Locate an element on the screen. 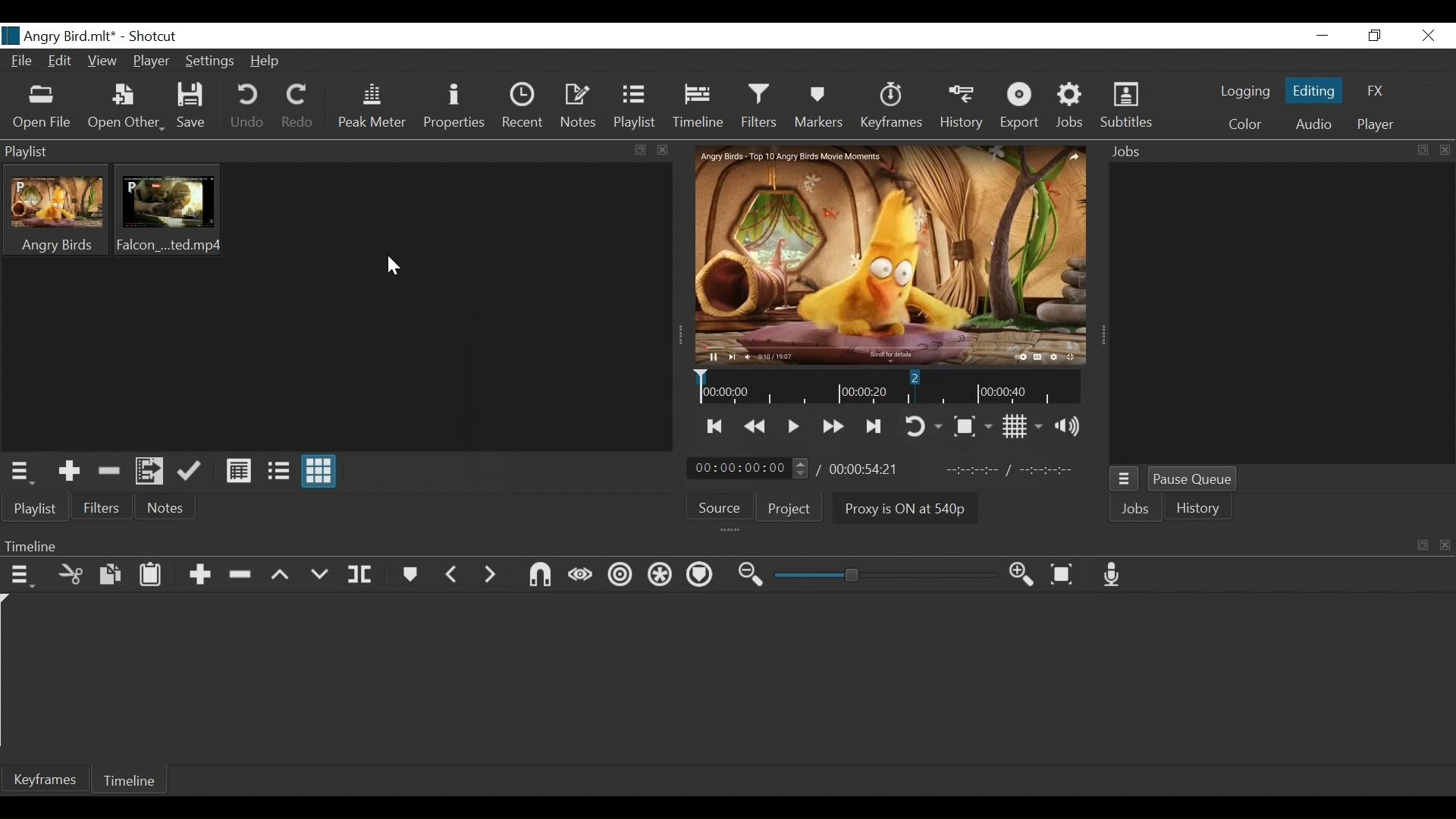  Filter is located at coordinates (102, 507).